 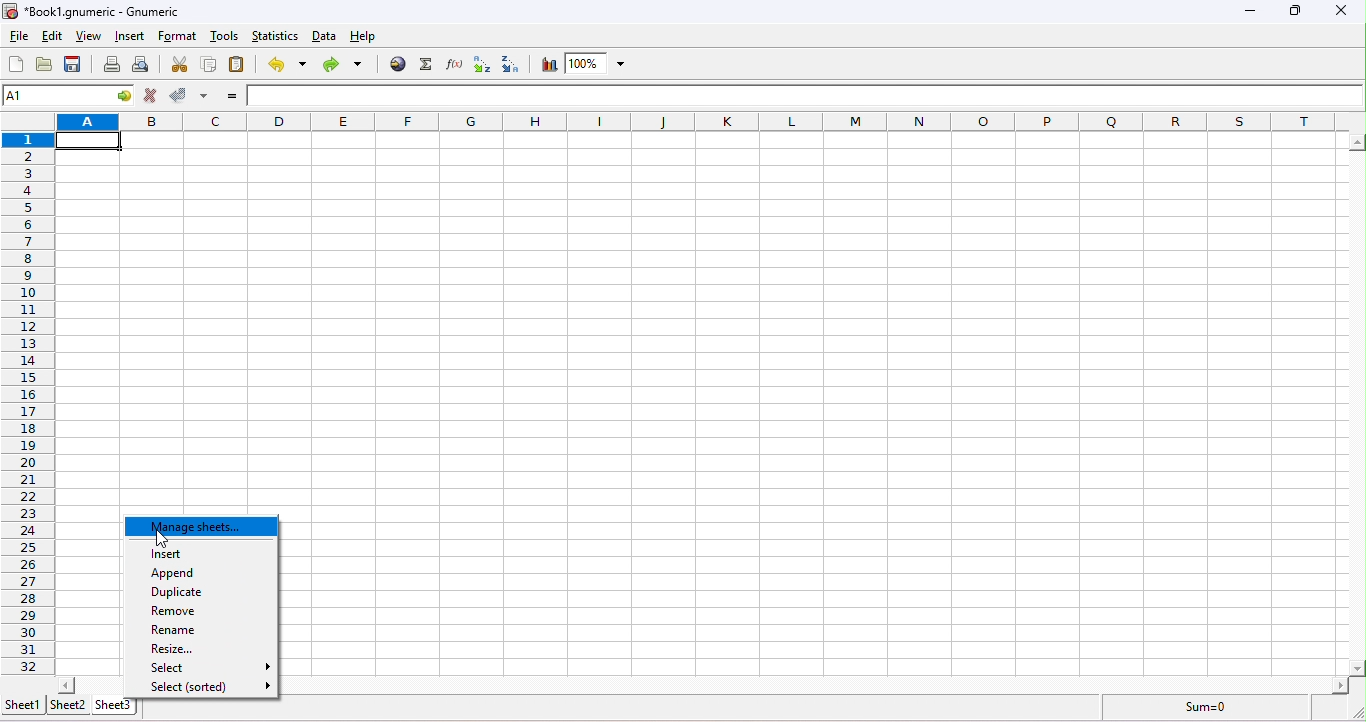 I want to click on hyperlink, so click(x=395, y=65).